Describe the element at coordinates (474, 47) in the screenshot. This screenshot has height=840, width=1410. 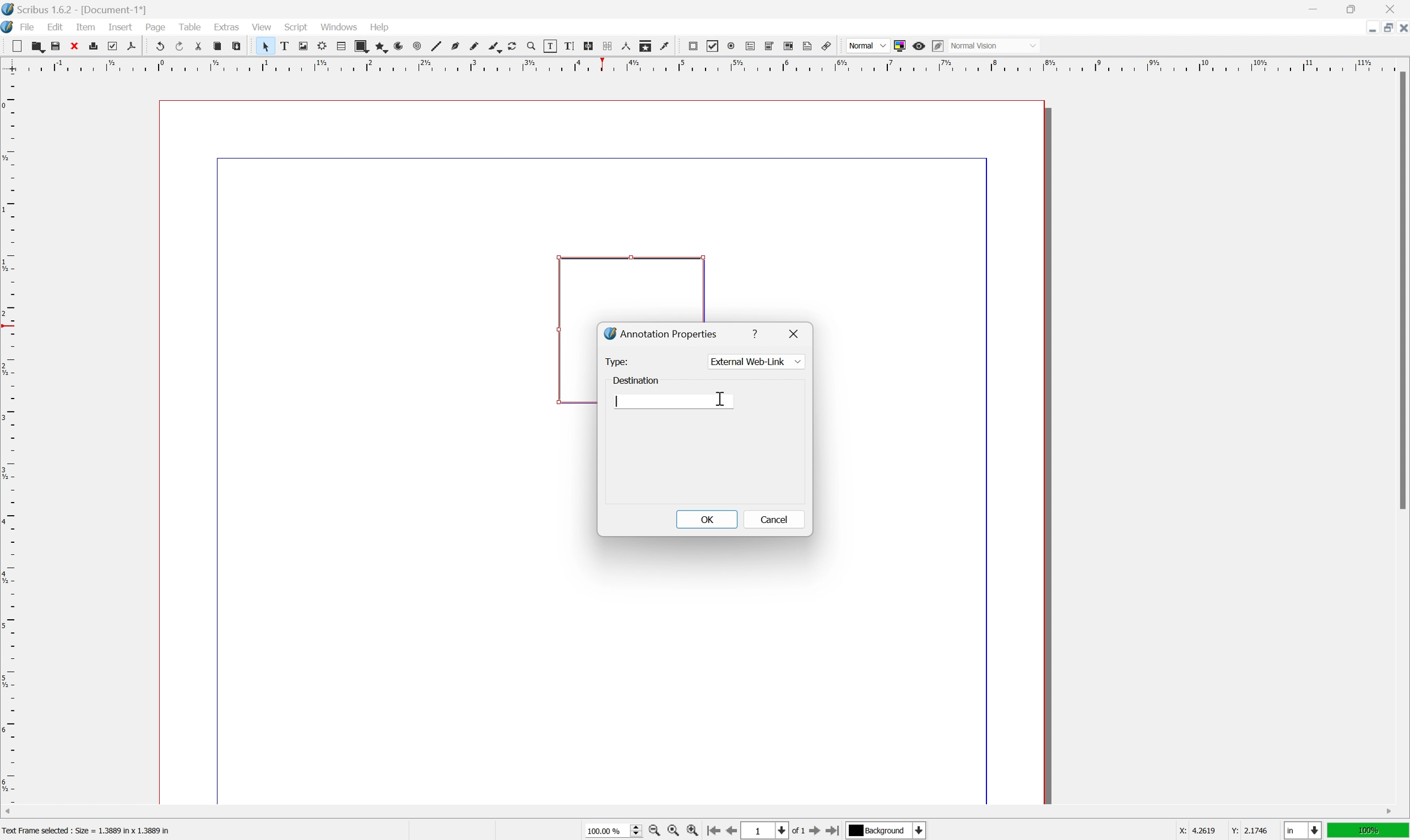
I see `freehand line` at that location.